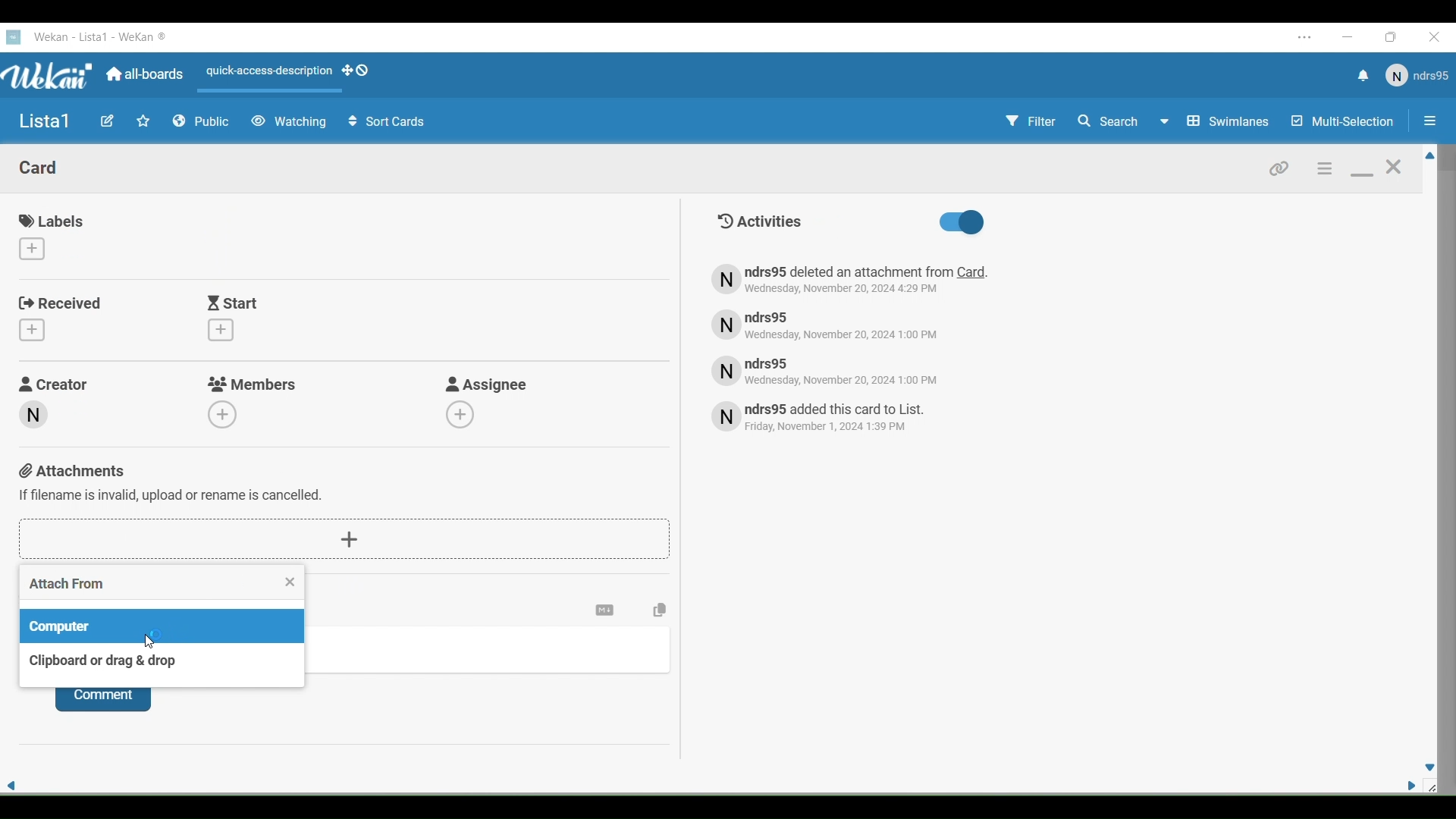 This screenshot has width=1456, height=819. Describe the element at coordinates (288, 122) in the screenshot. I see `Watching` at that location.